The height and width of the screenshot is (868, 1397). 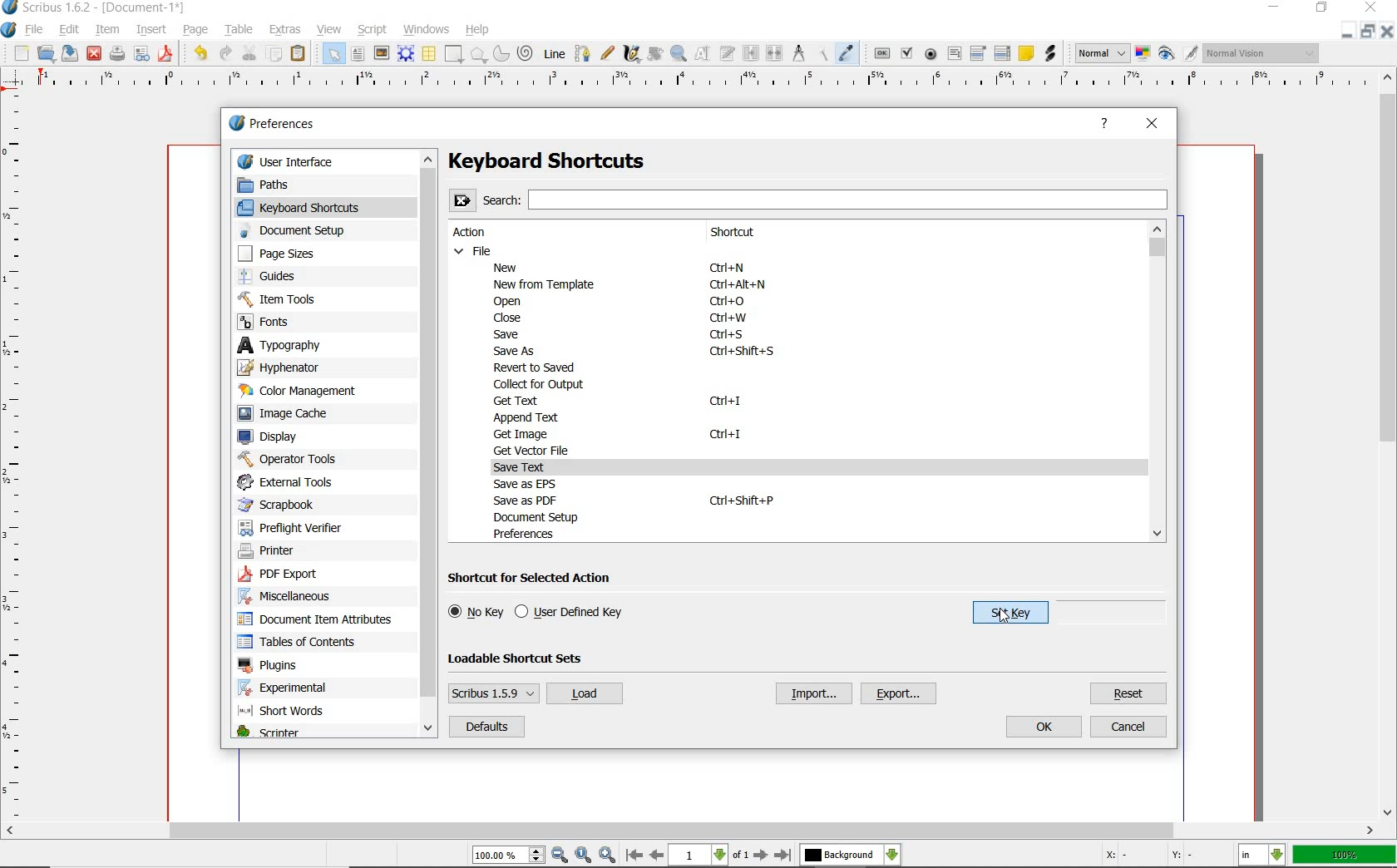 I want to click on action, so click(x=477, y=233).